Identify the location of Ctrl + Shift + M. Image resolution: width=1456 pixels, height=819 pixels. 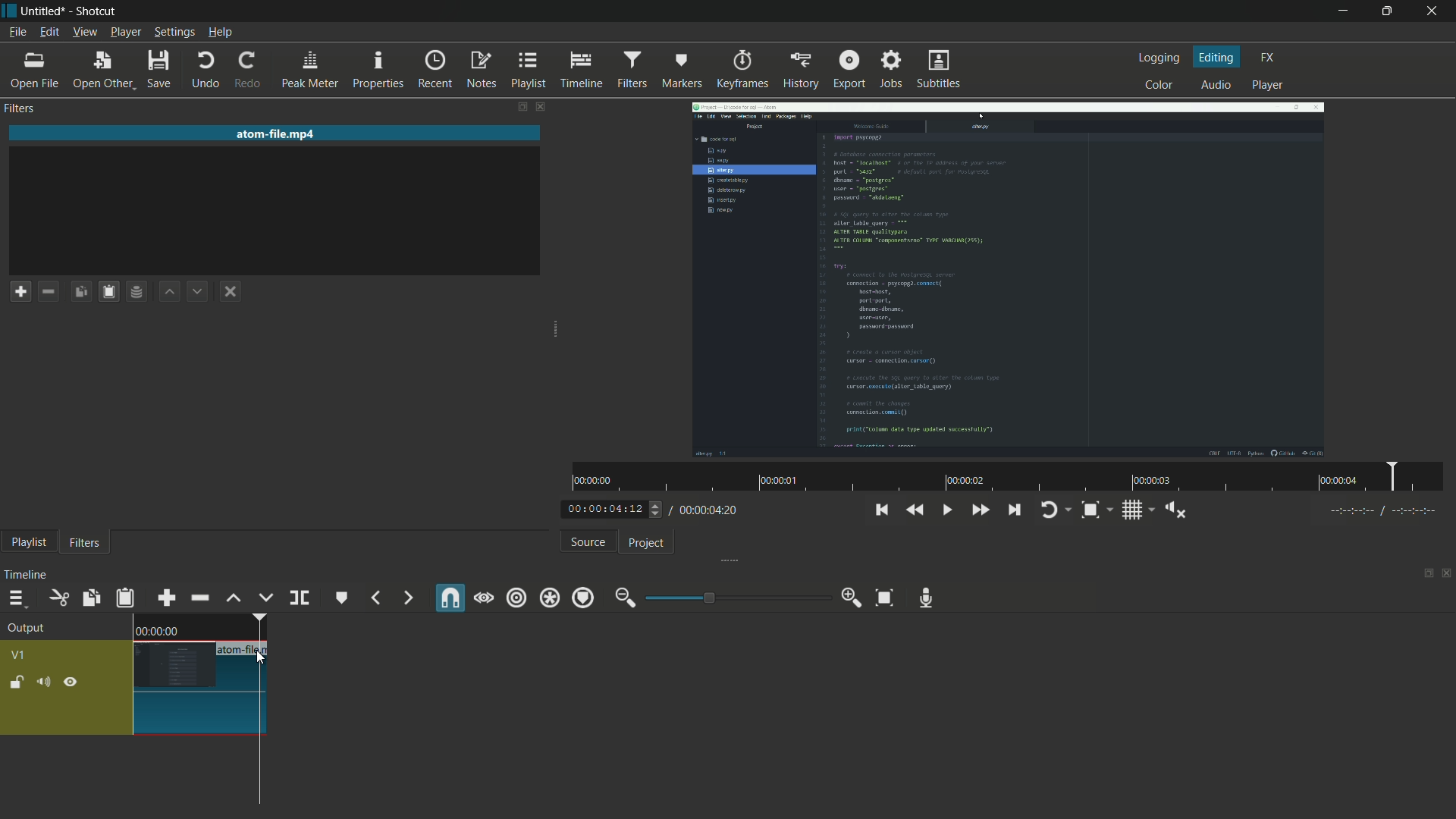
(396, 657).